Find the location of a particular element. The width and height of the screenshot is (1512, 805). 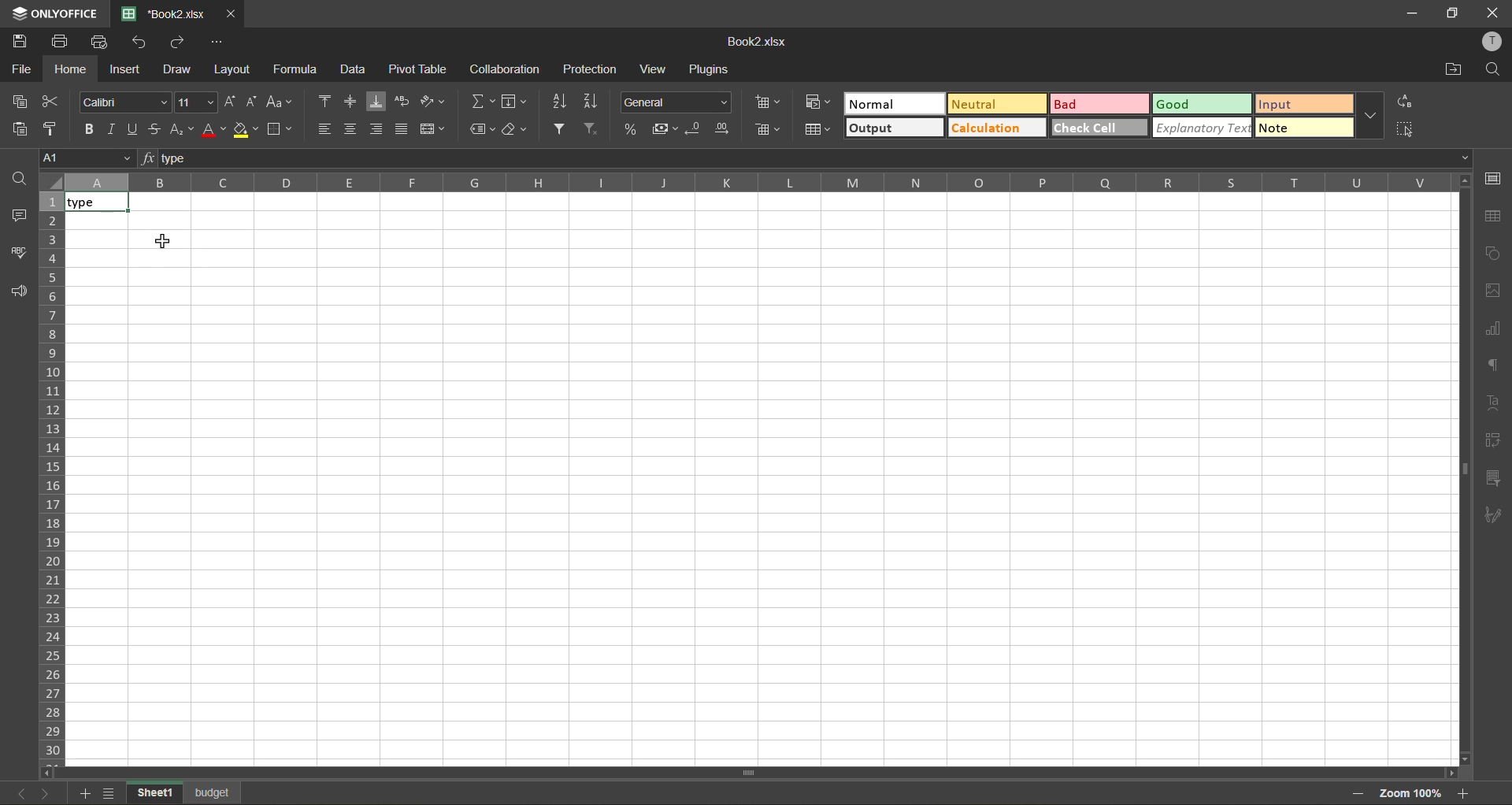

decrement size is located at coordinates (254, 102).